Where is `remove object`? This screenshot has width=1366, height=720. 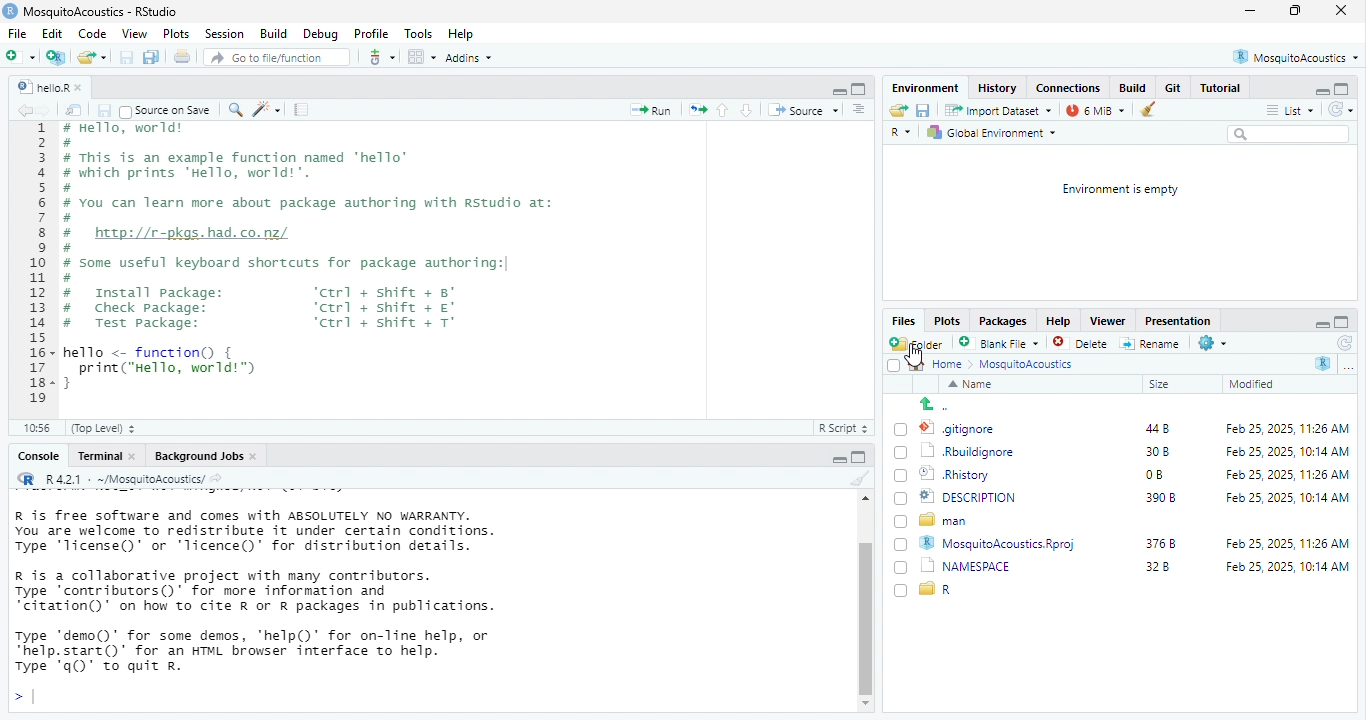
remove object is located at coordinates (1156, 110).